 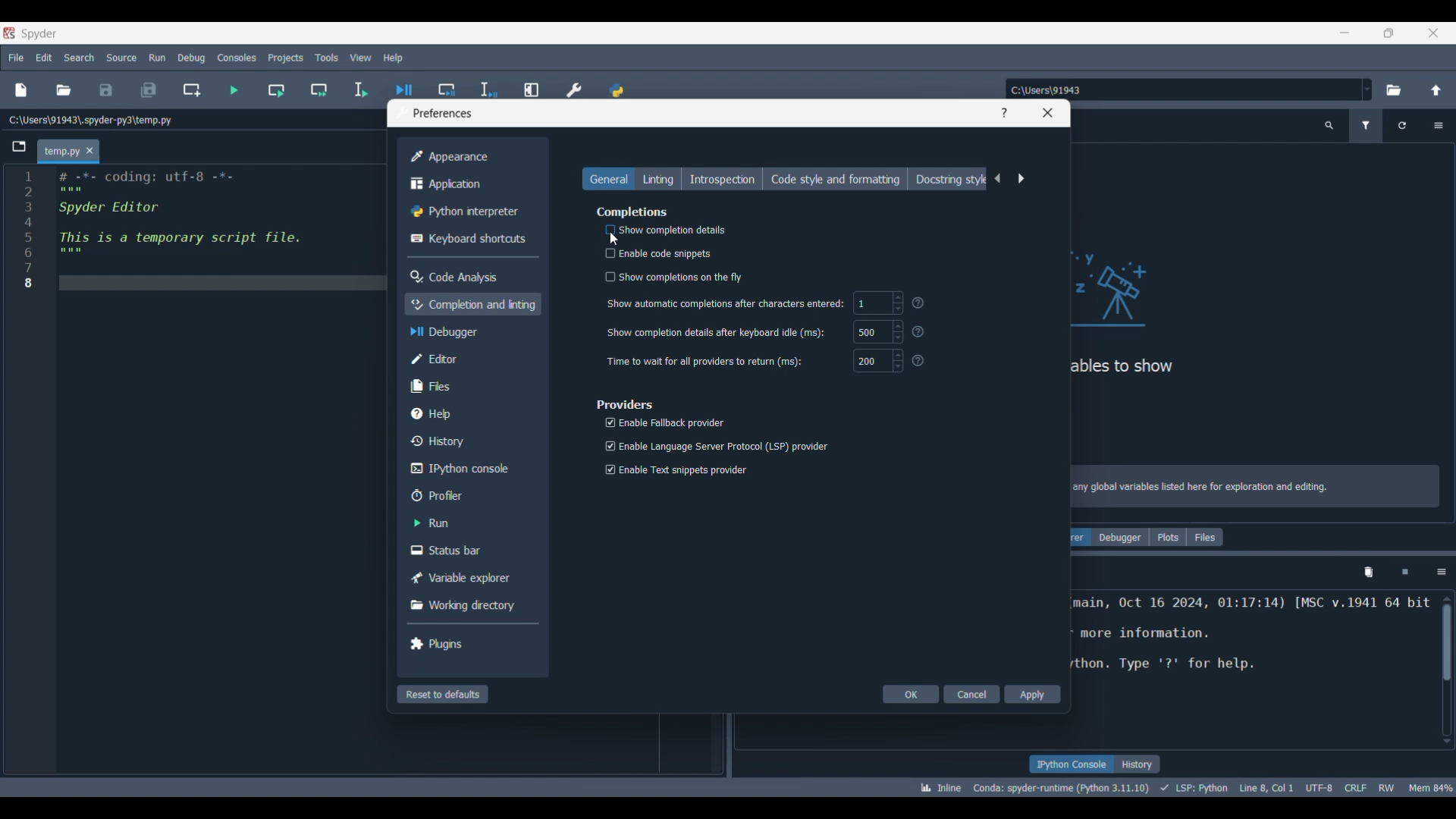 I want to click on Files, so click(x=470, y=386).